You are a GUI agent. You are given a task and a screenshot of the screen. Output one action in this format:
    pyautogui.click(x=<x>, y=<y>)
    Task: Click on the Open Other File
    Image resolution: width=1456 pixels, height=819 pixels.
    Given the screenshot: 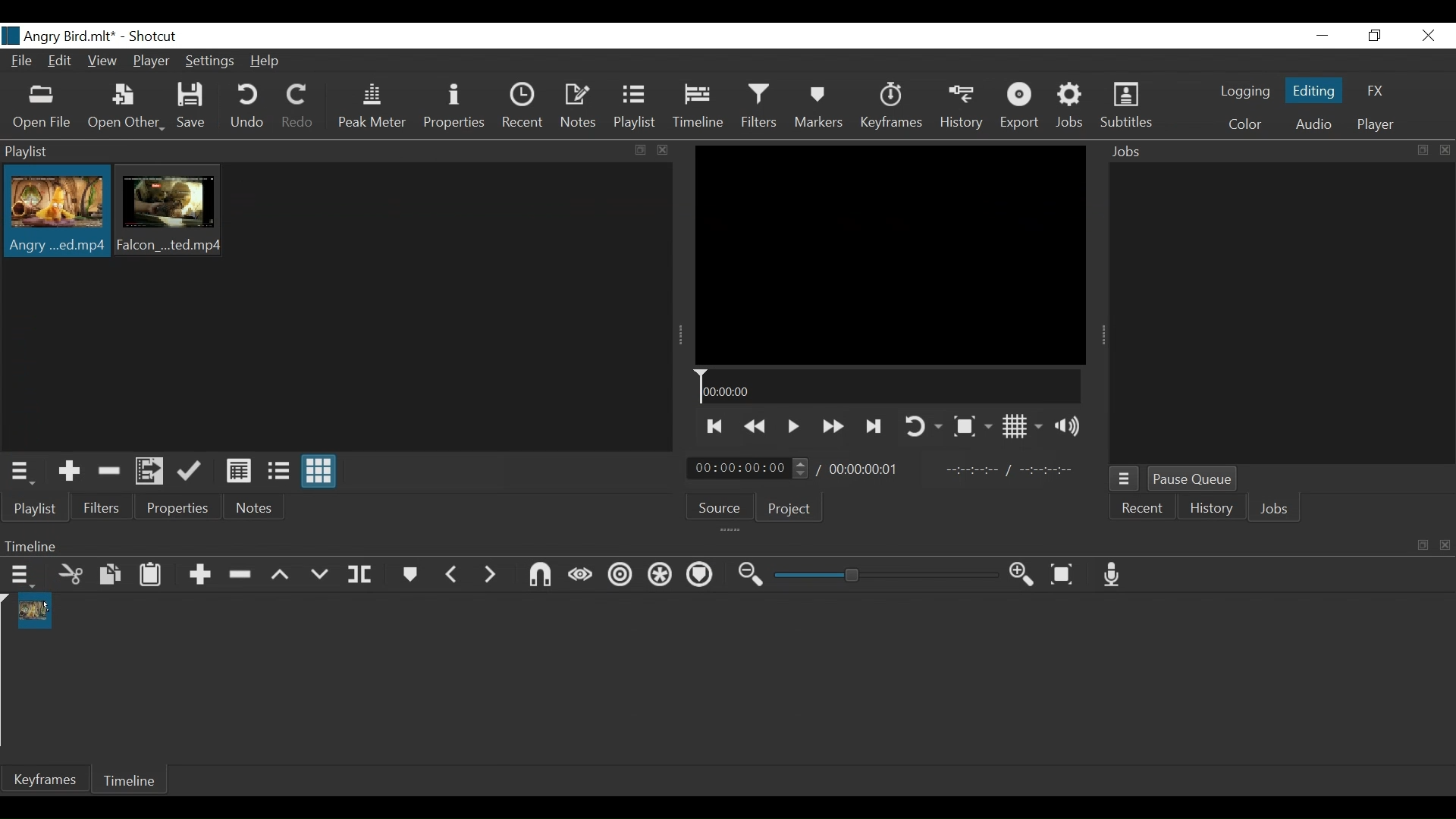 What is the action you would take?
    pyautogui.click(x=42, y=109)
    